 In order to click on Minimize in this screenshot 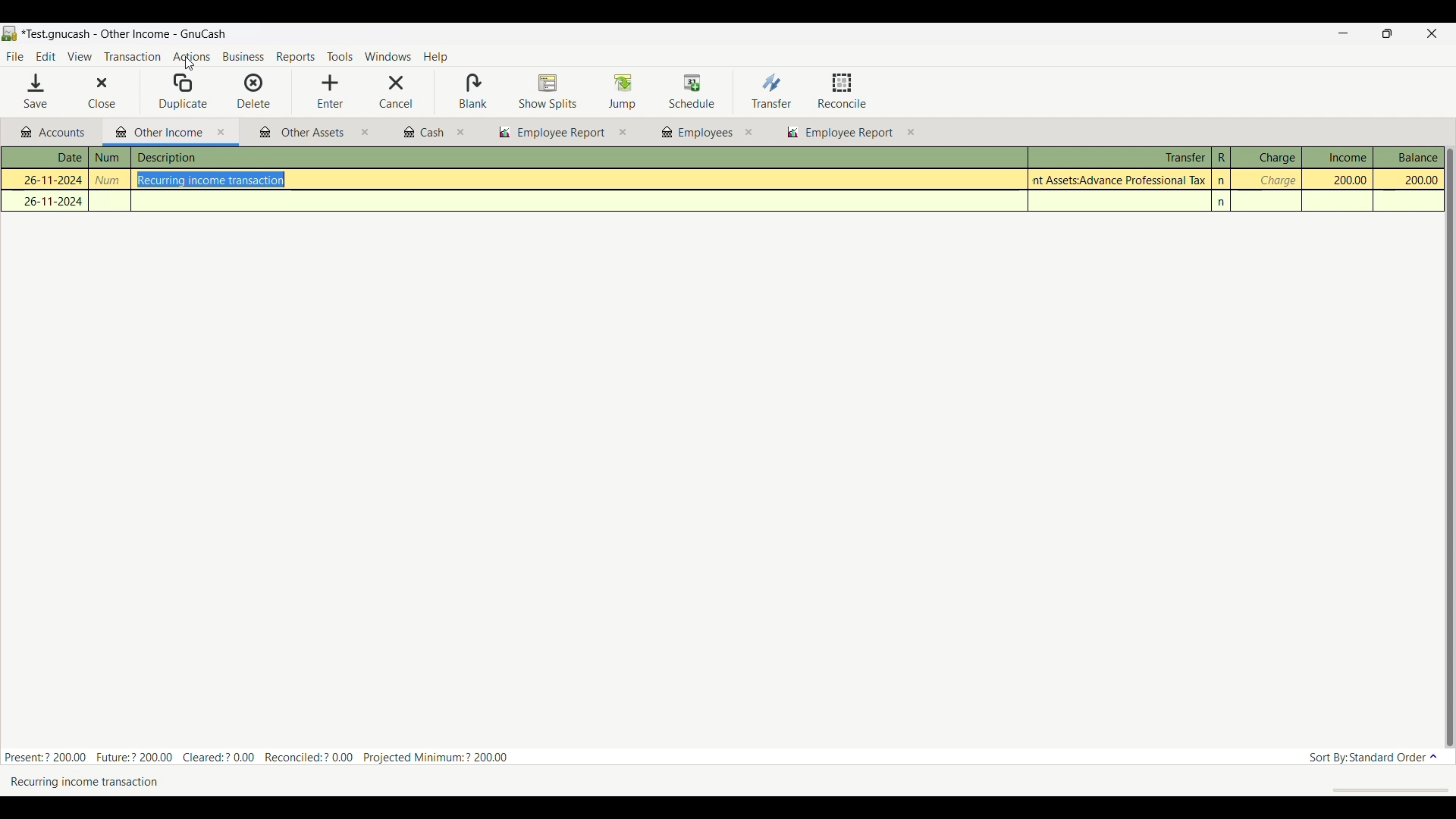, I will do `click(1338, 34)`.